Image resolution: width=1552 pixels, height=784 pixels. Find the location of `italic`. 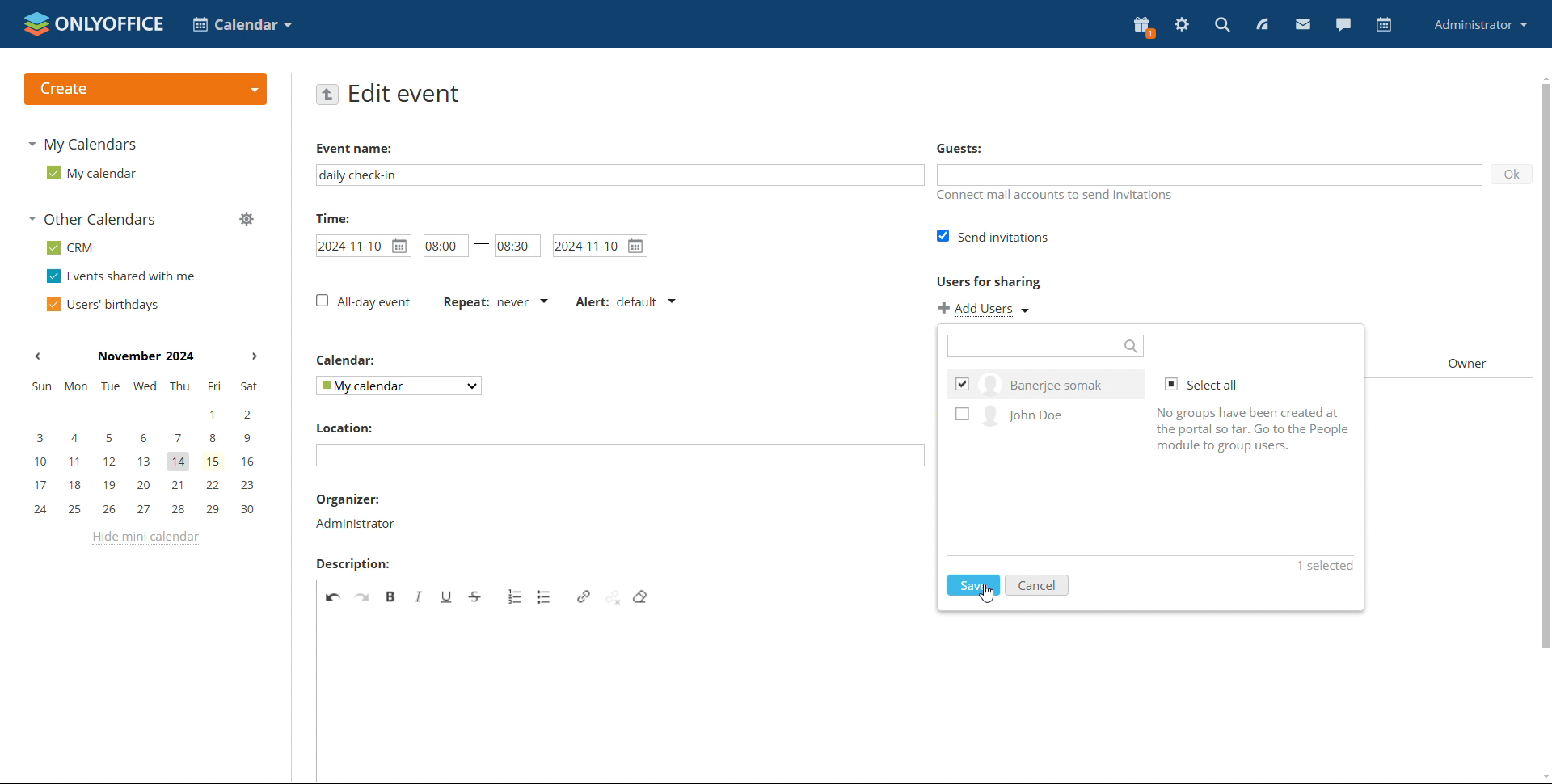

italic is located at coordinates (420, 596).